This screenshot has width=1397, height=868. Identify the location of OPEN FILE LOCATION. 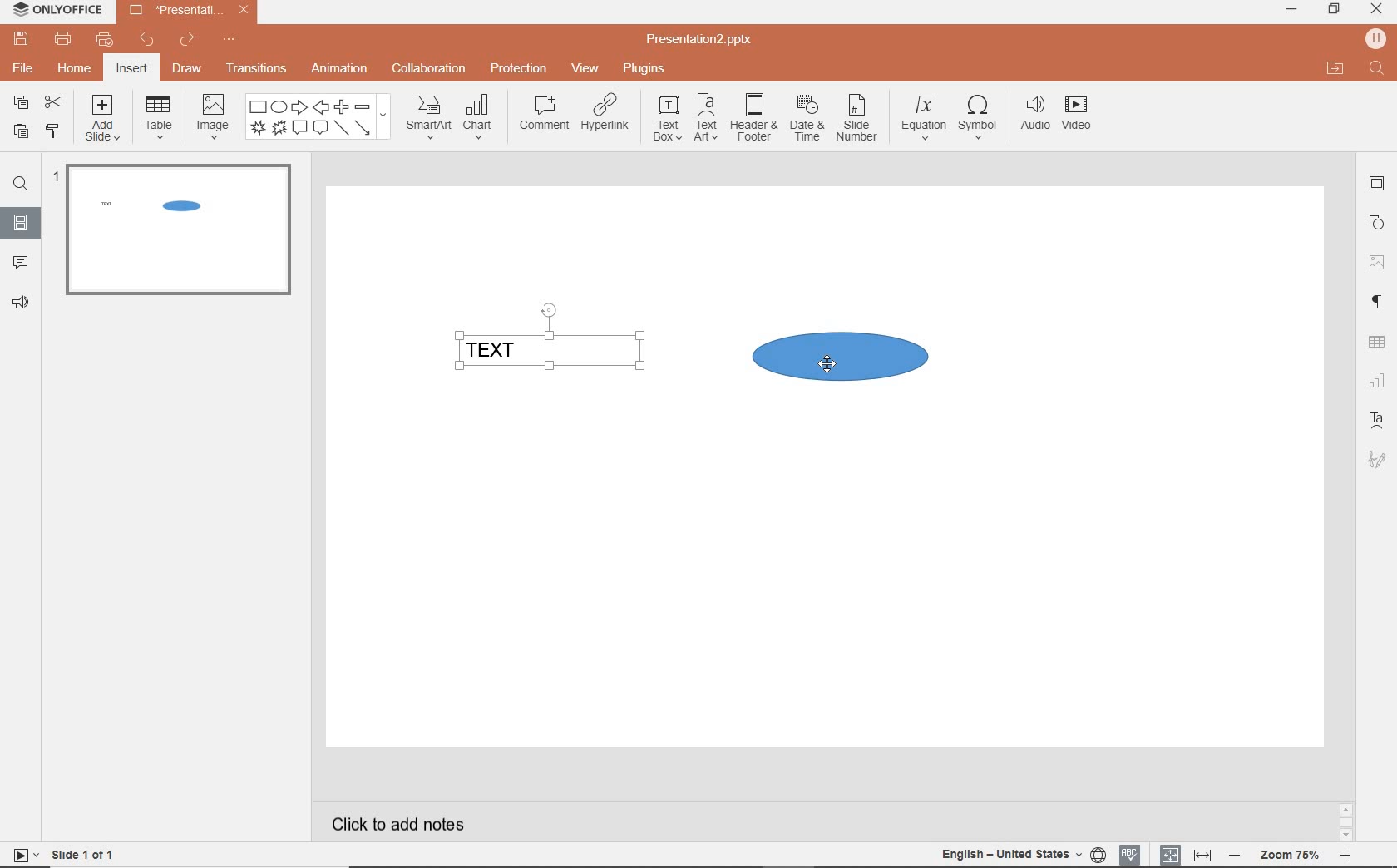
(1333, 66).